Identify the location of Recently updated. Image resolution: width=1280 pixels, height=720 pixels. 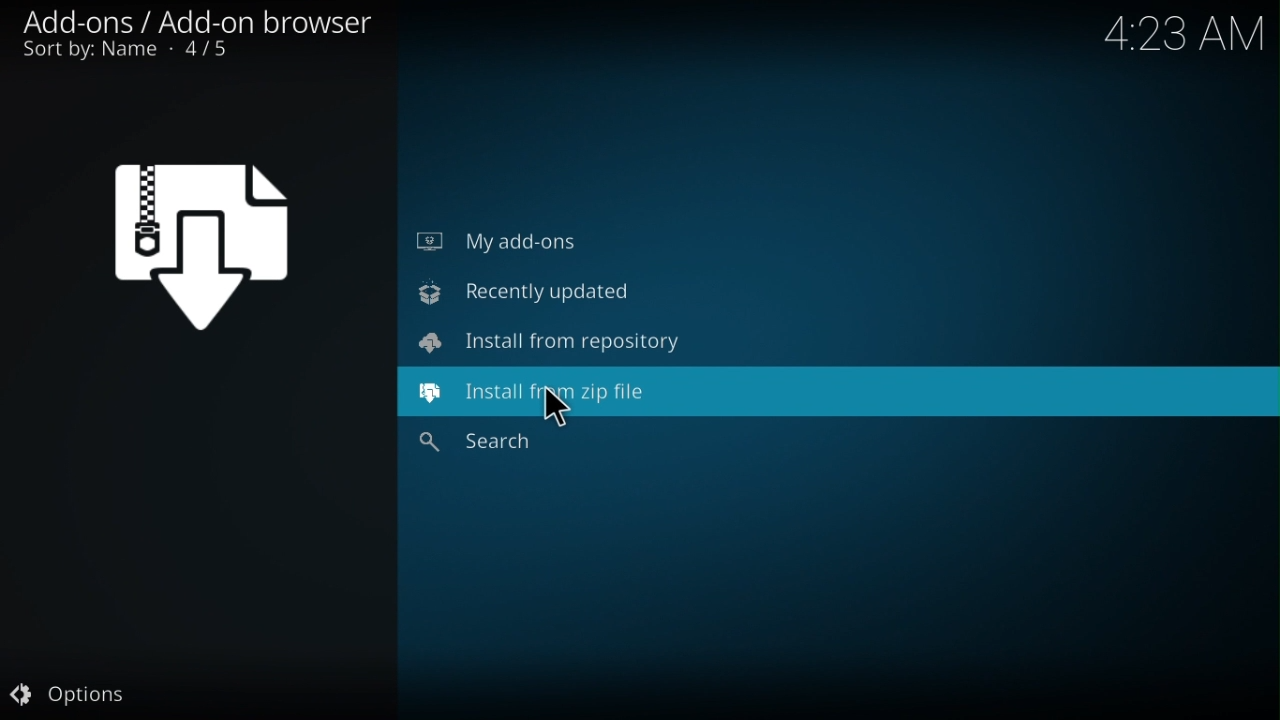
(524, 294).